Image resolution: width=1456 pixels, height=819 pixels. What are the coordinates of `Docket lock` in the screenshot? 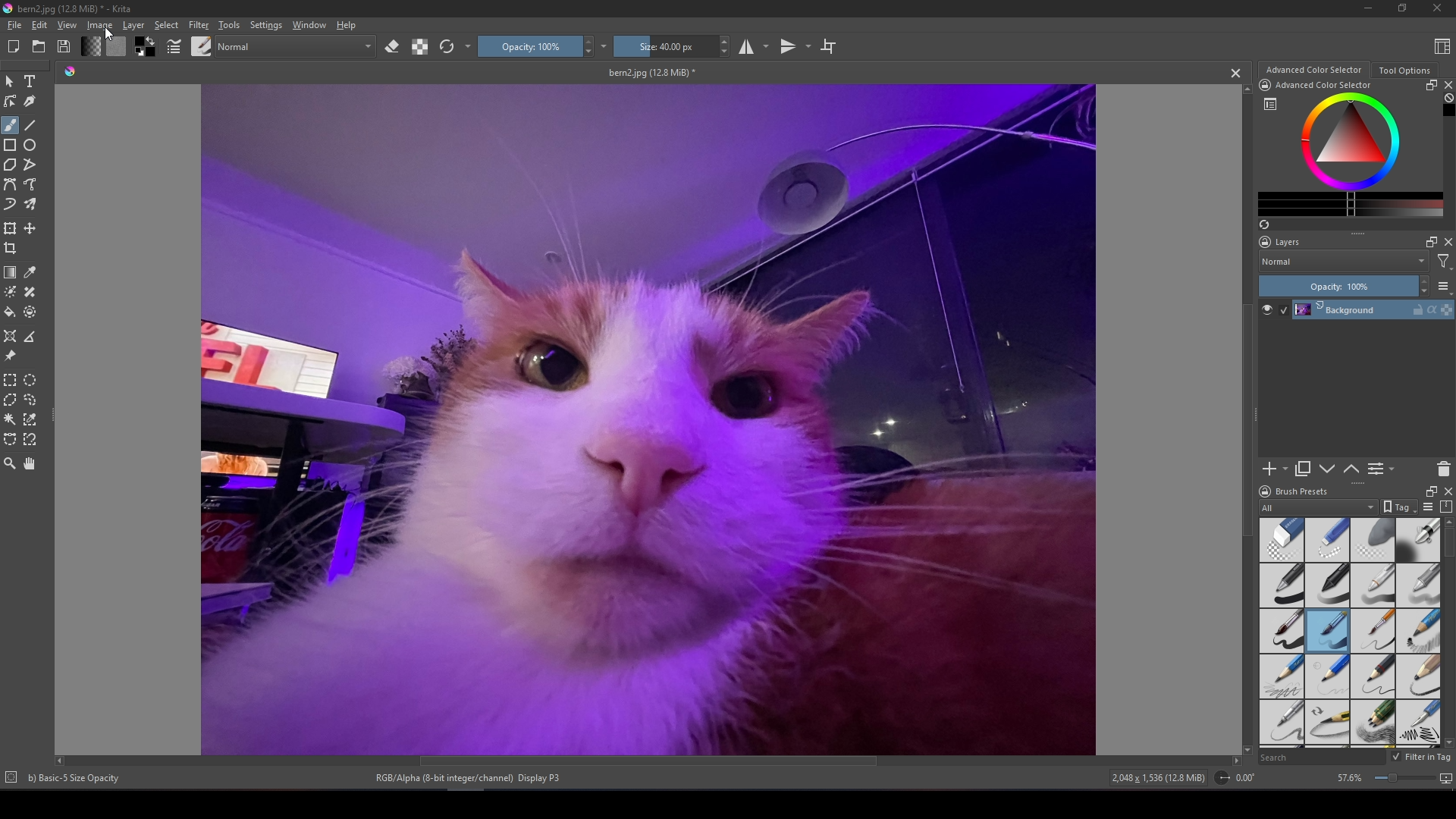 It's located at (1266, 241).